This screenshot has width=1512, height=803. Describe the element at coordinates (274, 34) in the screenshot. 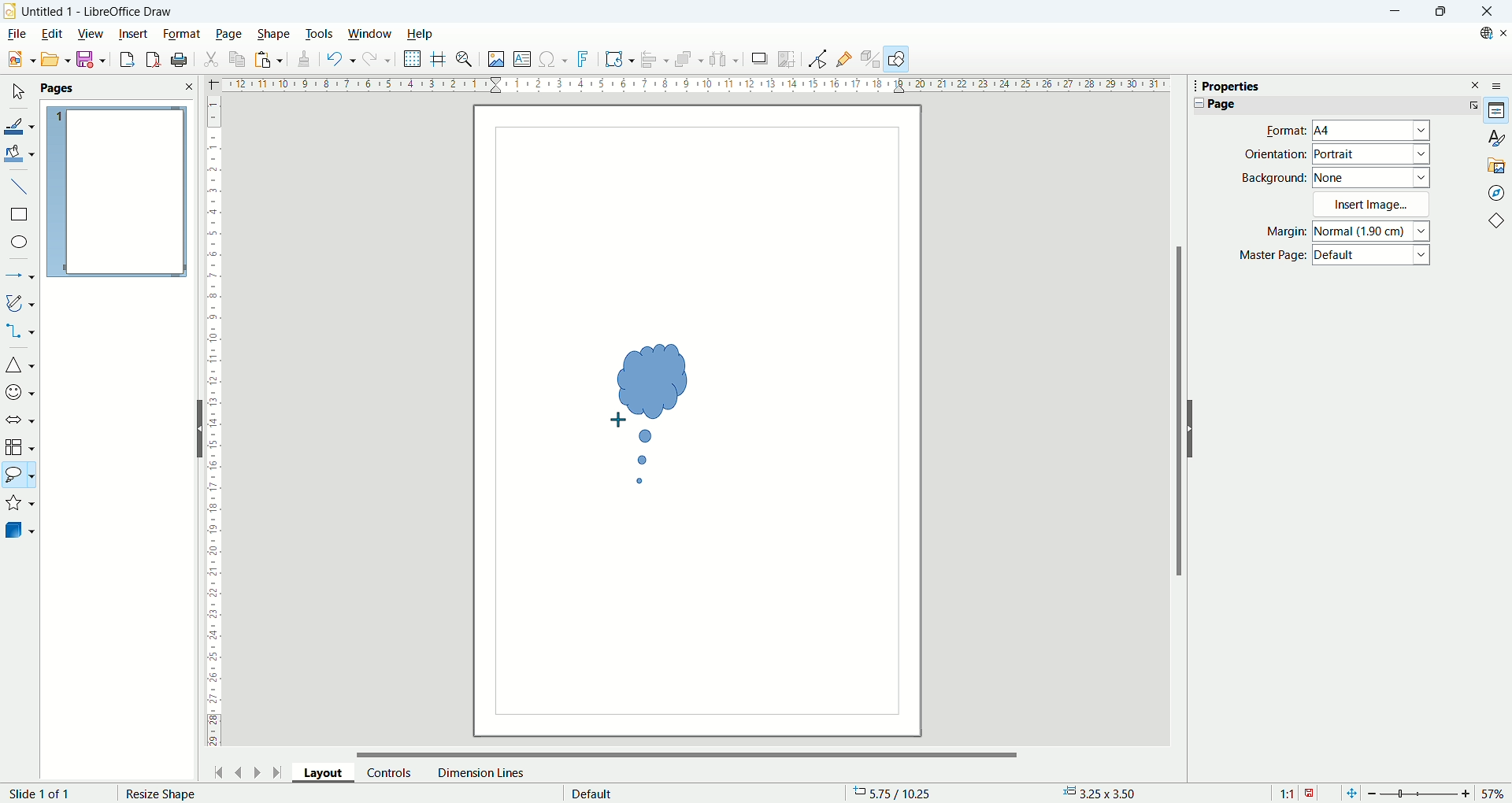

I see `shape` at that location.